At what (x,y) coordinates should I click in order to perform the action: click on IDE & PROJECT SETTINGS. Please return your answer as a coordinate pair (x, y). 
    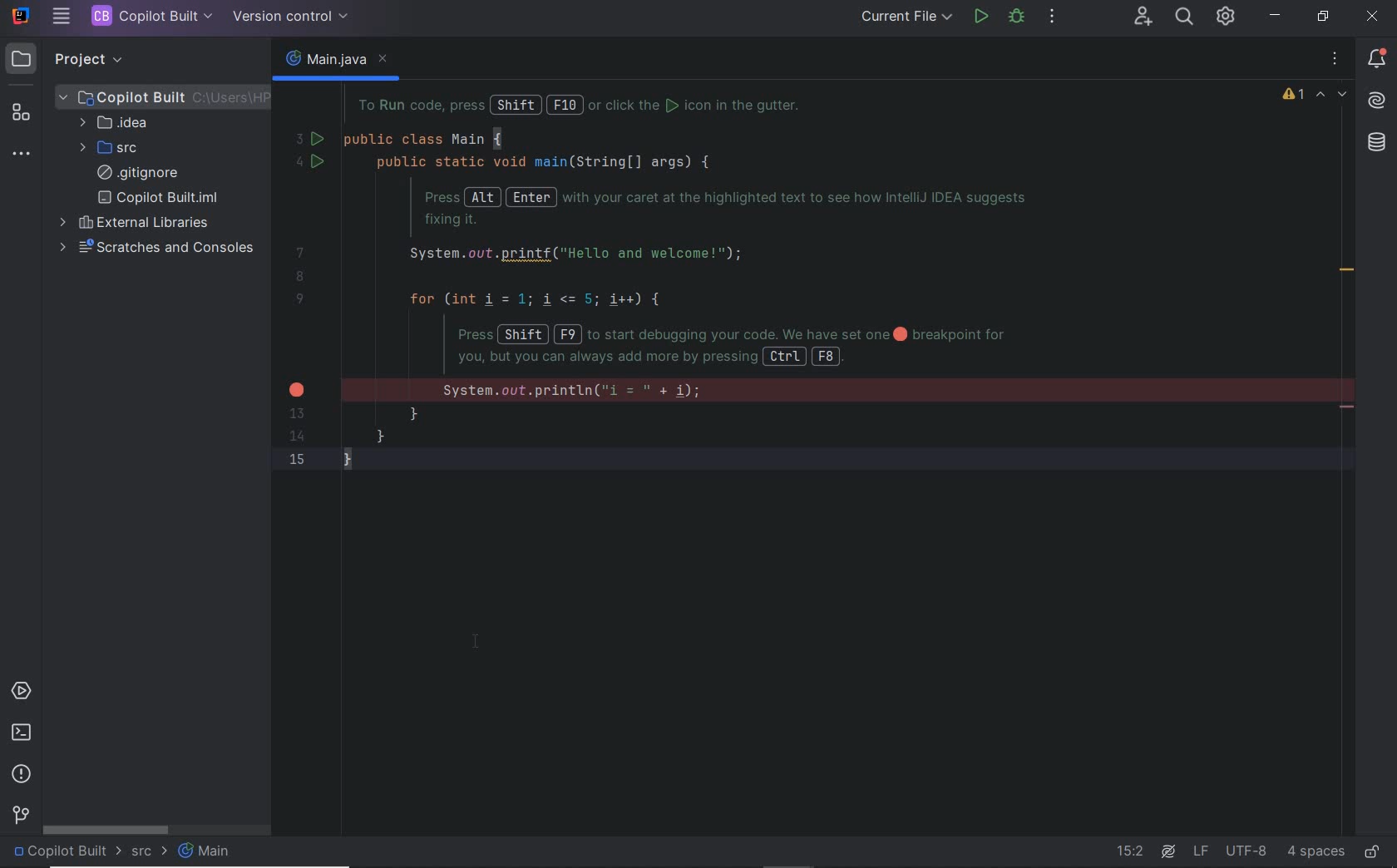
    Looking at the image, I should click on (1227, 17).